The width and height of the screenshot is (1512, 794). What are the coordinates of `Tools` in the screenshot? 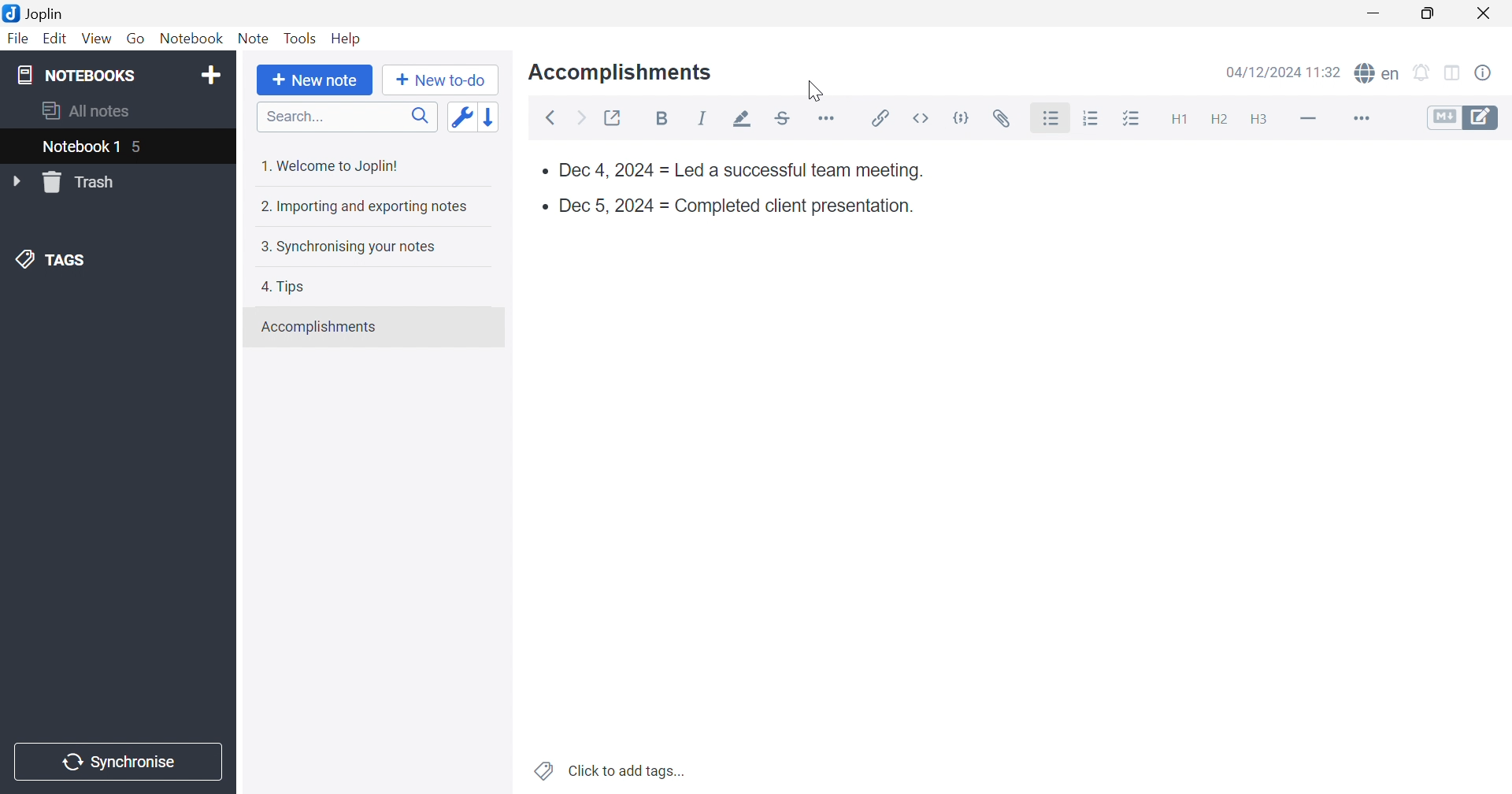 It's located at (299, 38).